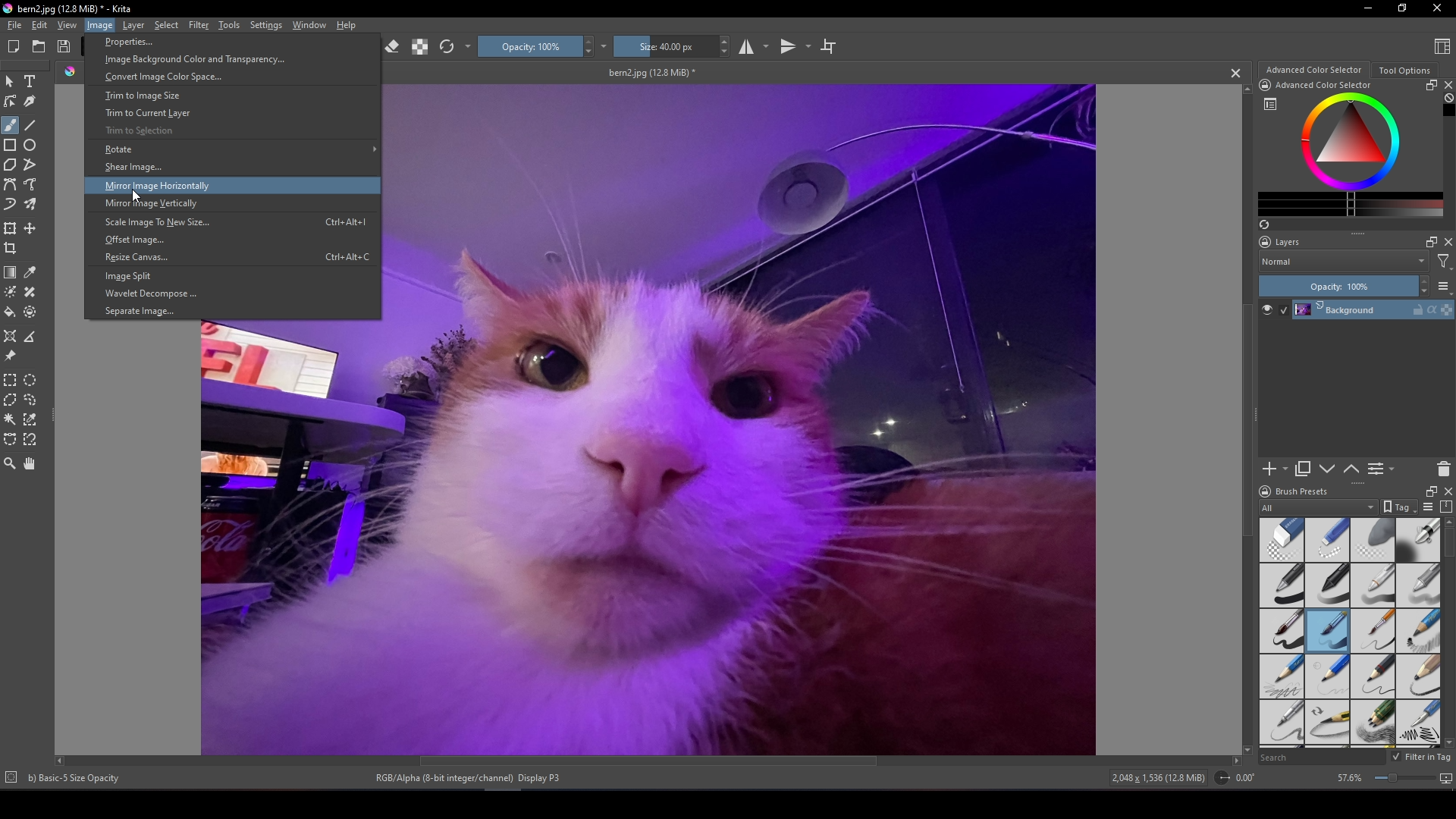  I want to click on Set eraser, so click(392, 46).